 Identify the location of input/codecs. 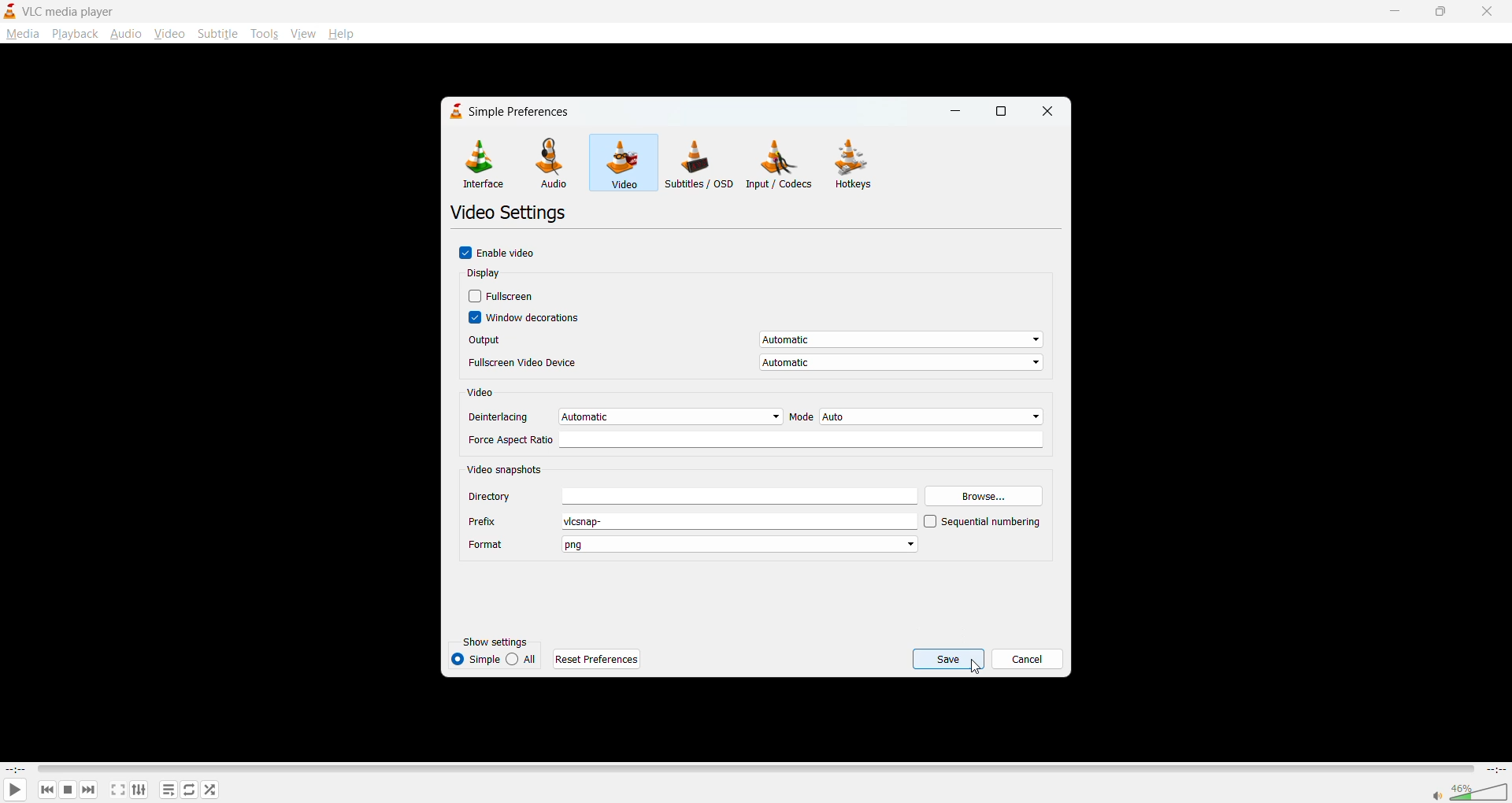
(783, 166).